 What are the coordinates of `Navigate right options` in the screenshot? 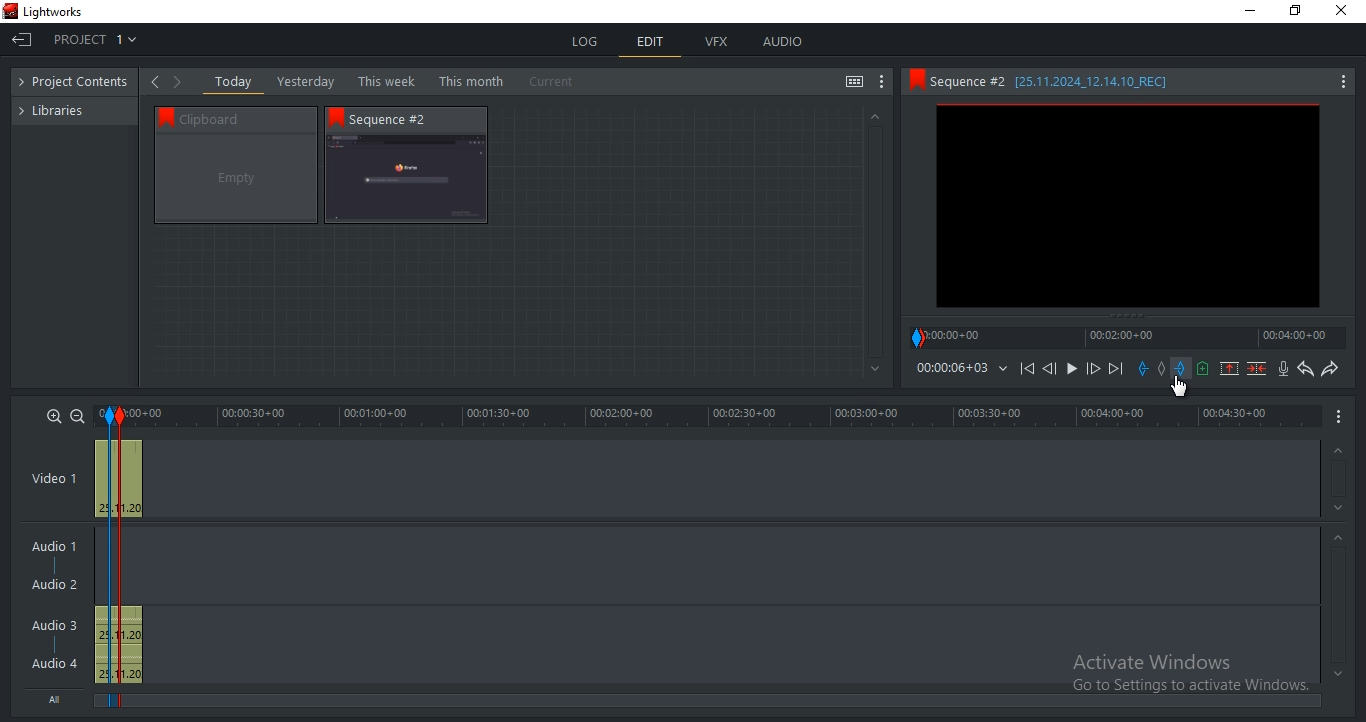 It's located at (181, 82).